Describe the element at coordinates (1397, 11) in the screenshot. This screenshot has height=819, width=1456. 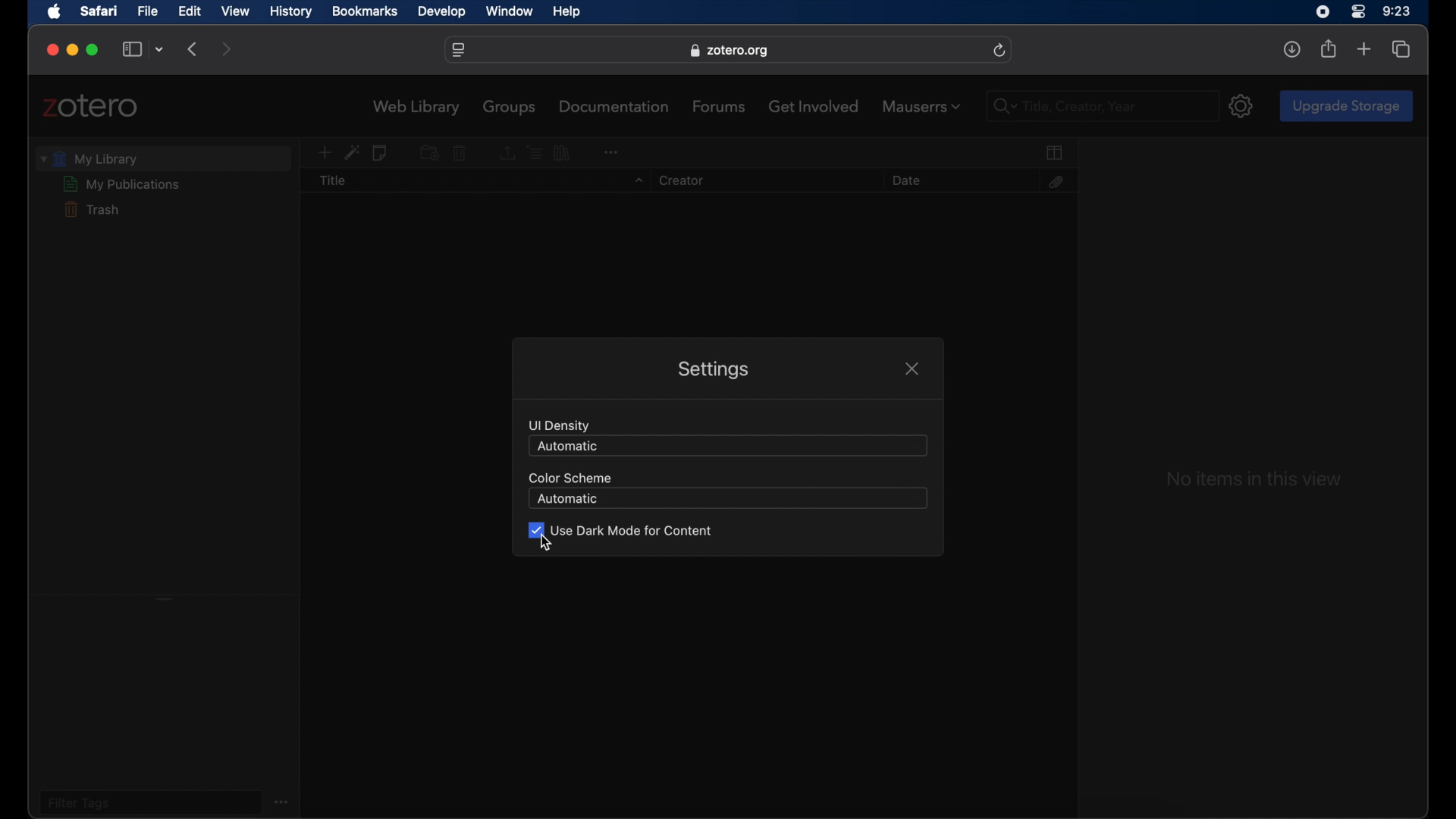
I see `time` at that location.